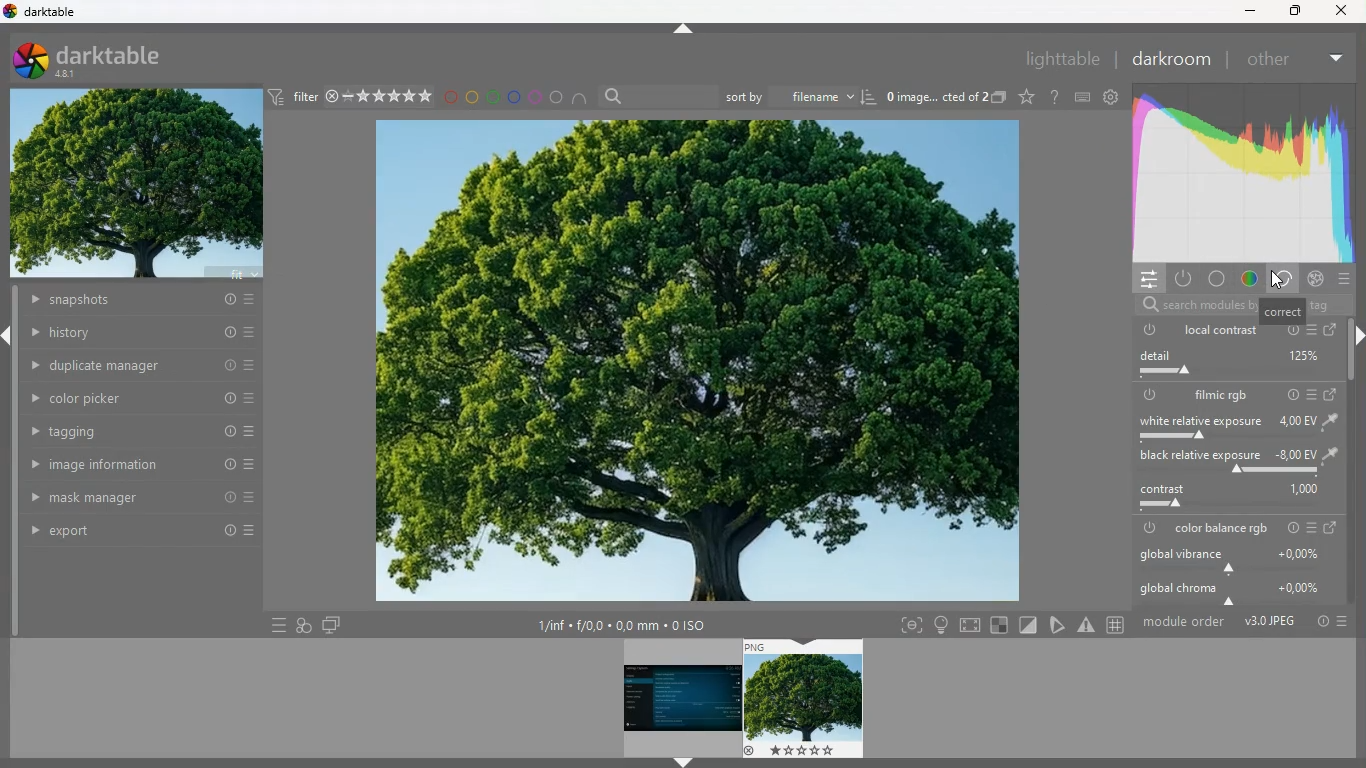  What do you see at coordinates (471, 97) in the screenshot?
I see `yellow` at bounding box center [471, 97].